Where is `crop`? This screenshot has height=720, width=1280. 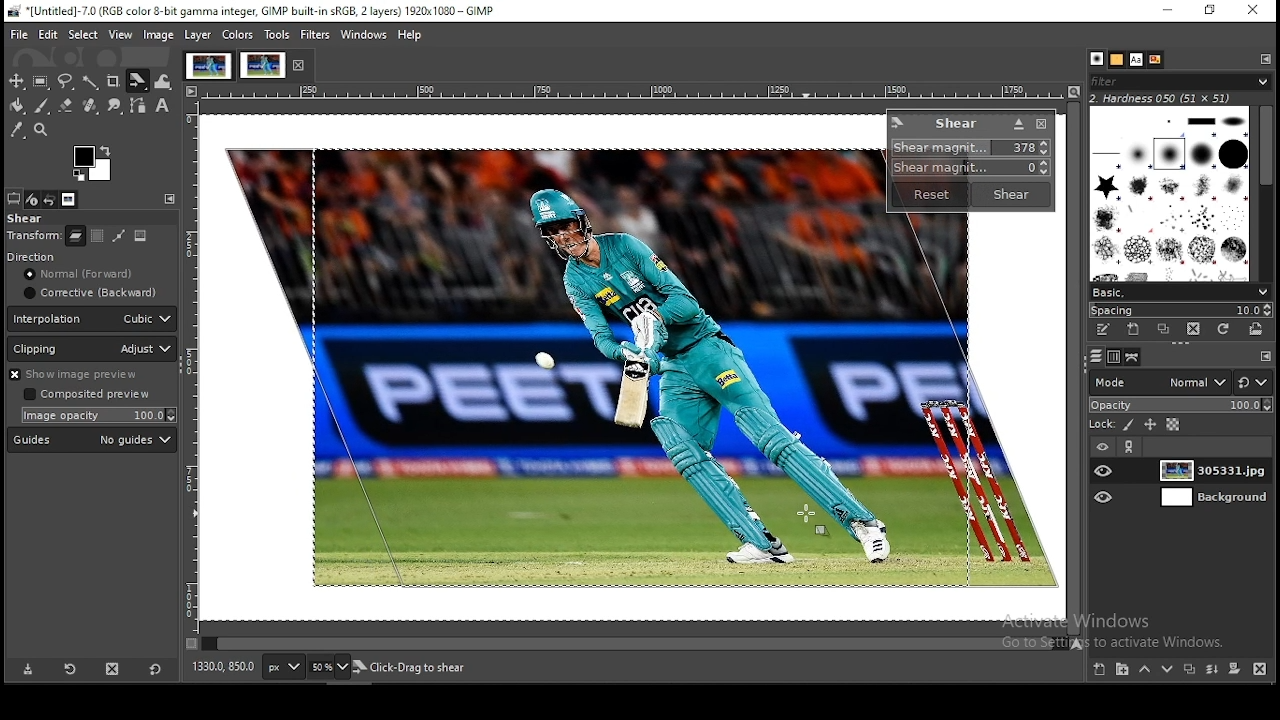
crop is located at coordinates (114, 80).